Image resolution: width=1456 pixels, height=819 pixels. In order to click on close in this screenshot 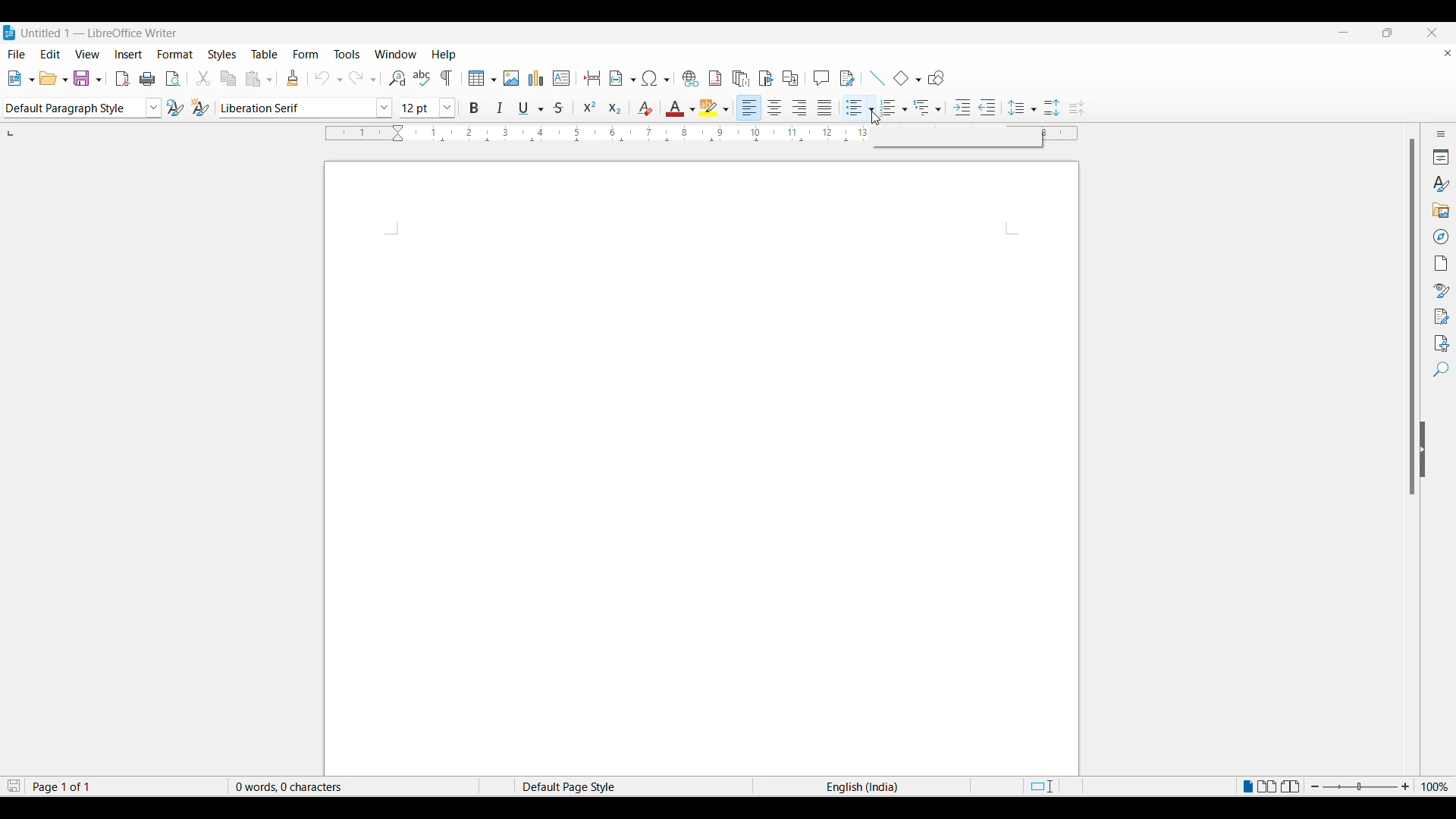, I will do `click(1422, 32)`.